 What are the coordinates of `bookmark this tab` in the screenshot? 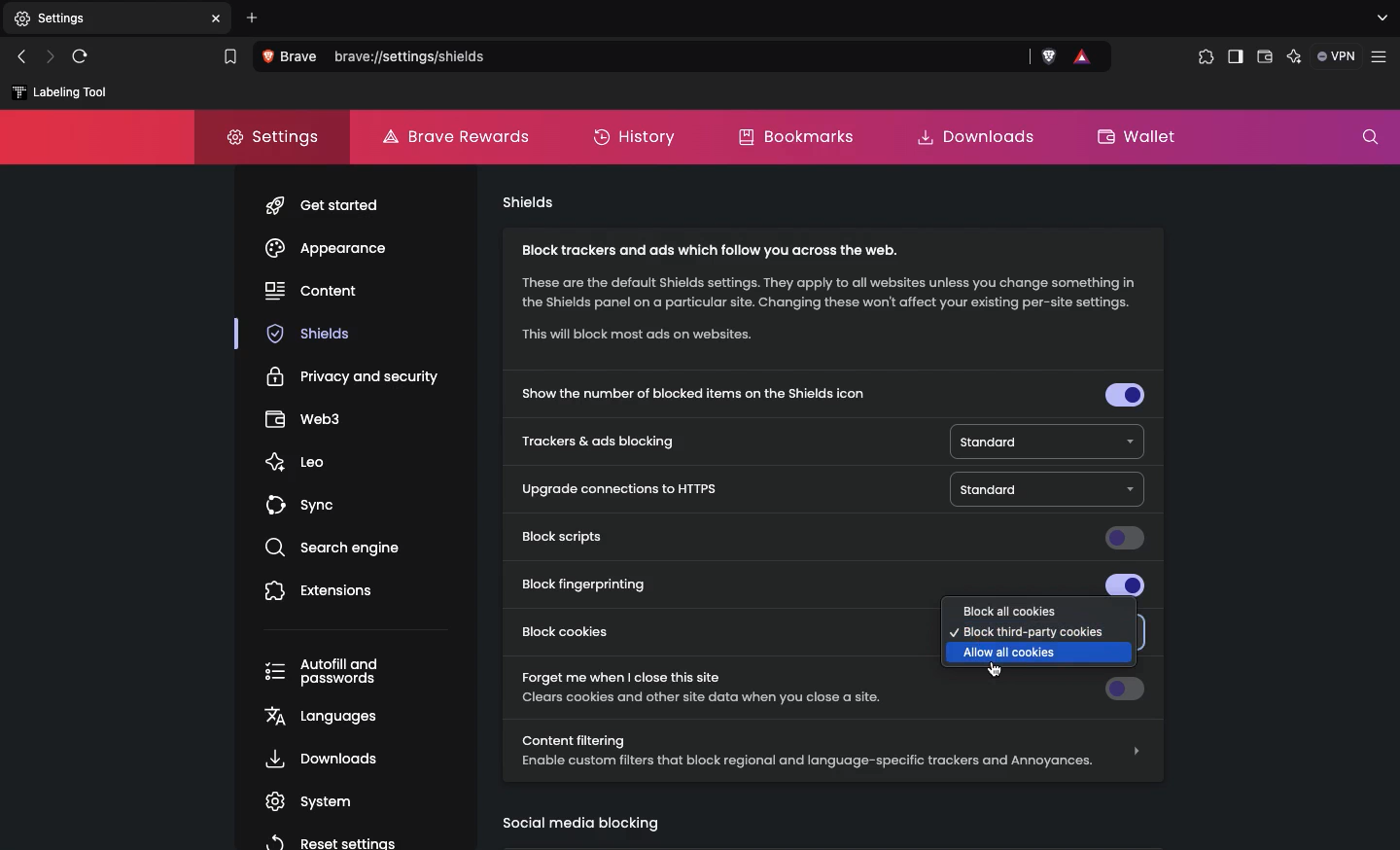 It's located at (230, 55).